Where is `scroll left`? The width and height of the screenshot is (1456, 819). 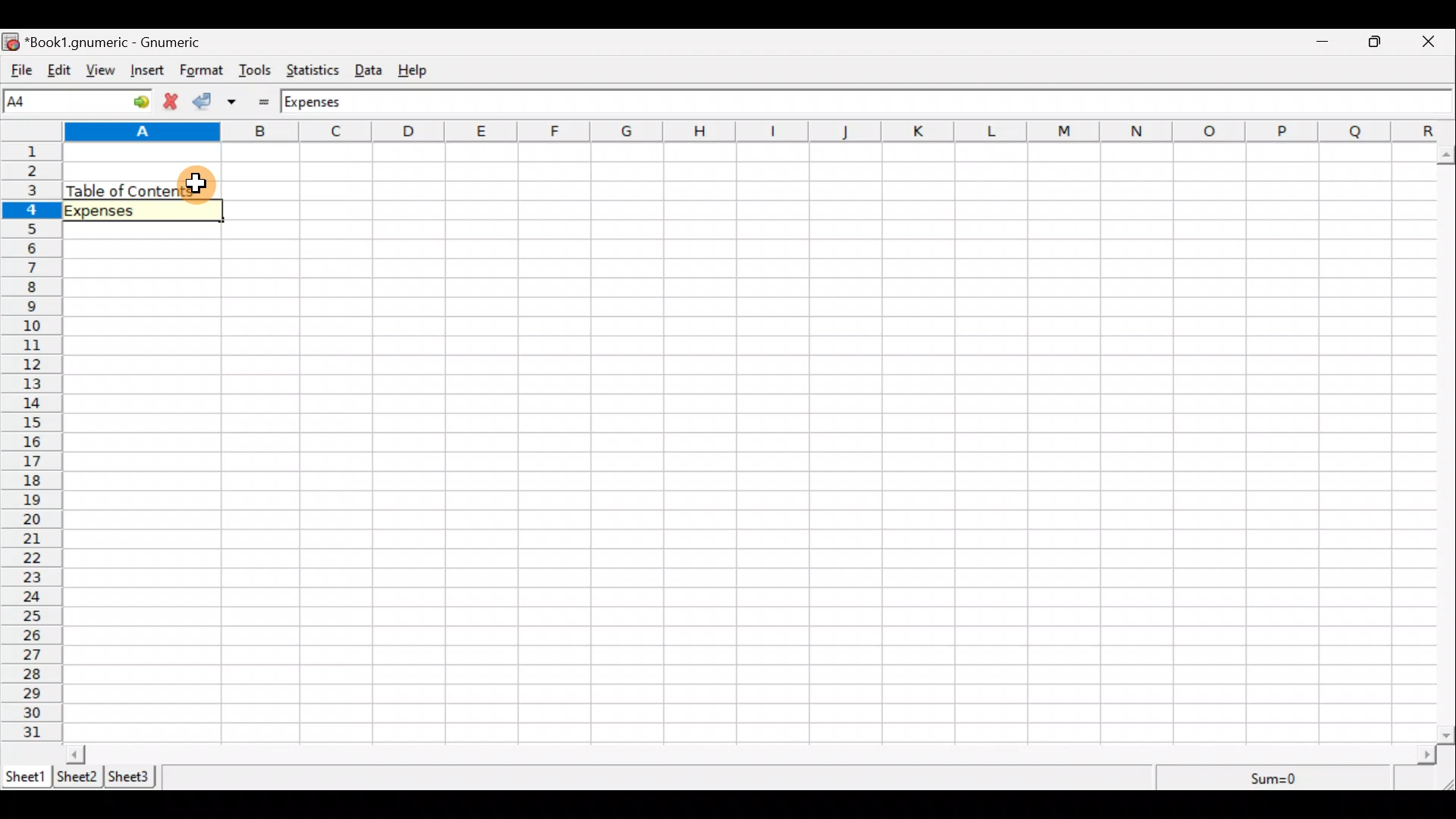
scroll left is located at coordinates (75, 754).